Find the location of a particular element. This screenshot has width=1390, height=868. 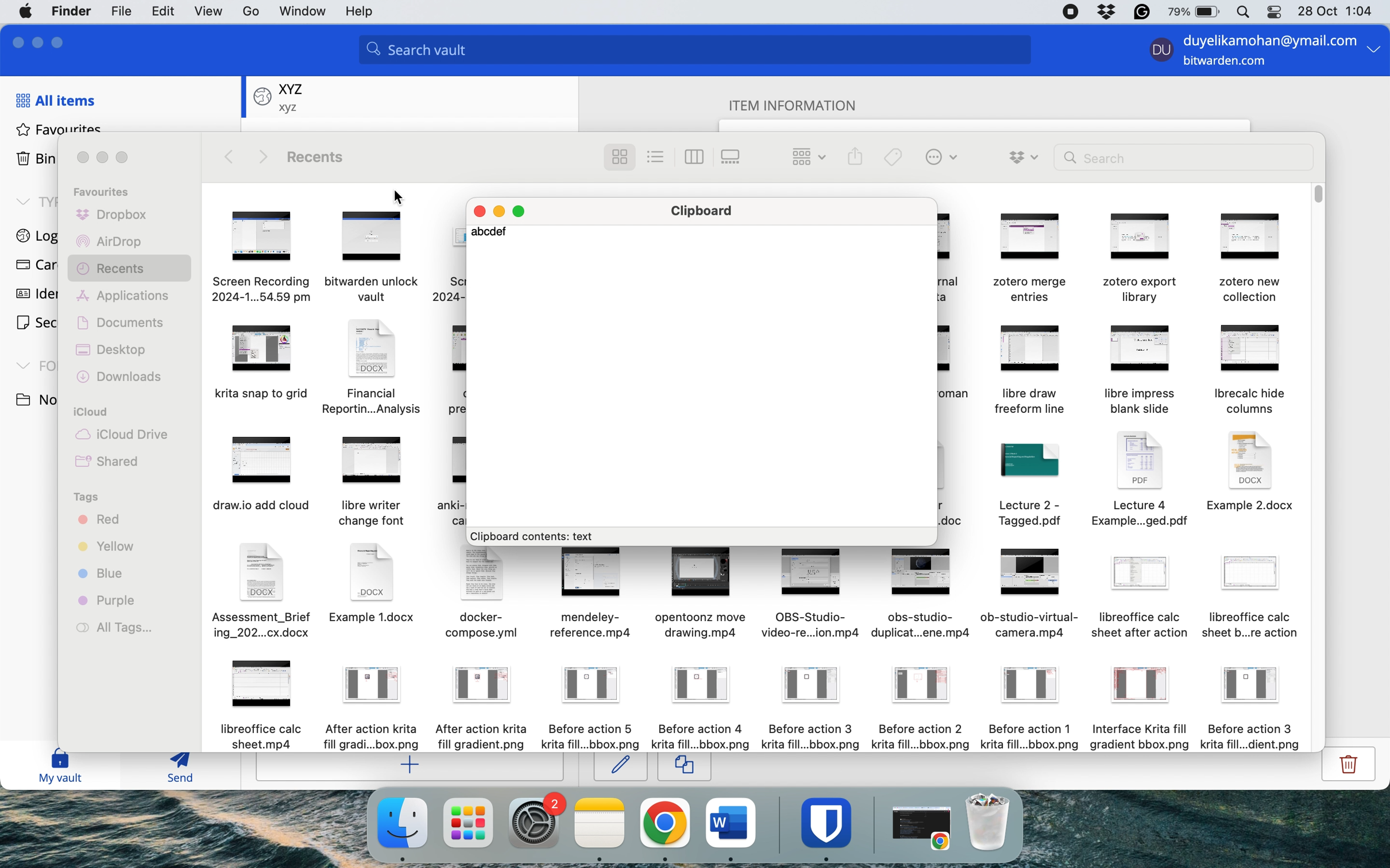

show items as icons is located at coordinates (619, 157).